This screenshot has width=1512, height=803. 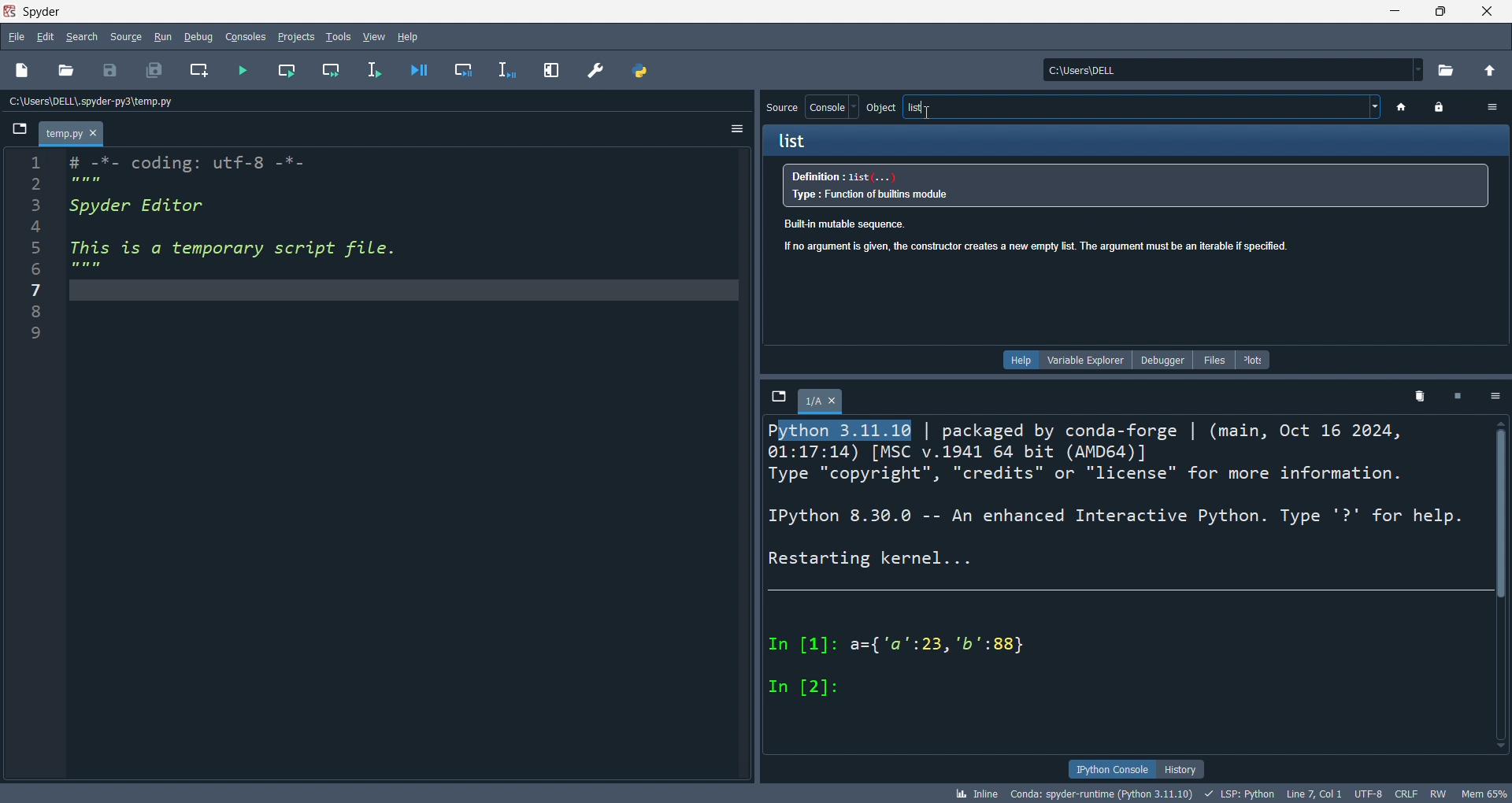 I want to click on debug, so click(x=201, y=35).